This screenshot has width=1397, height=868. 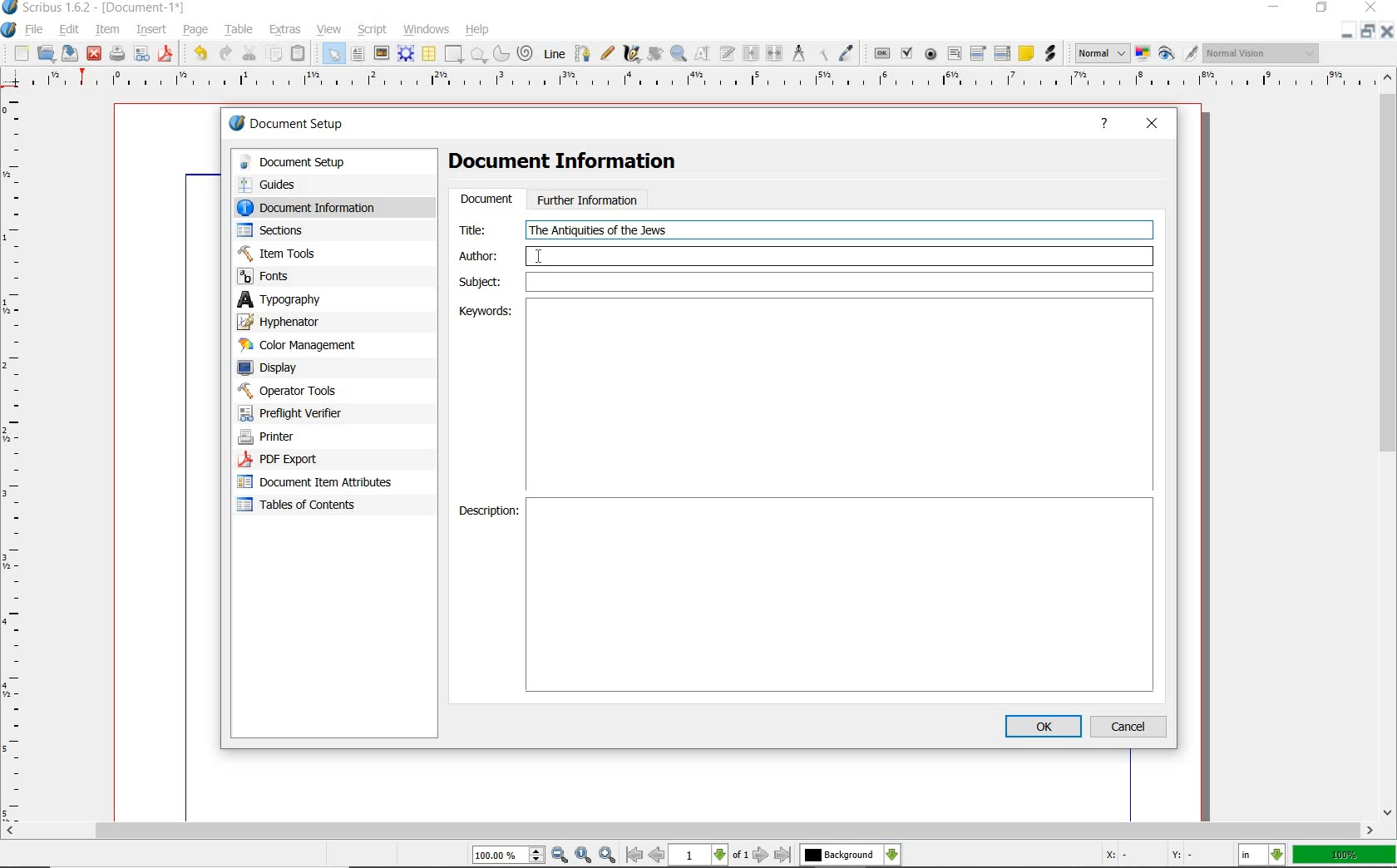 What do you see at coordinates (320, 162) in the screenshot?
I see `document setup` at bounding box center [320, 162].